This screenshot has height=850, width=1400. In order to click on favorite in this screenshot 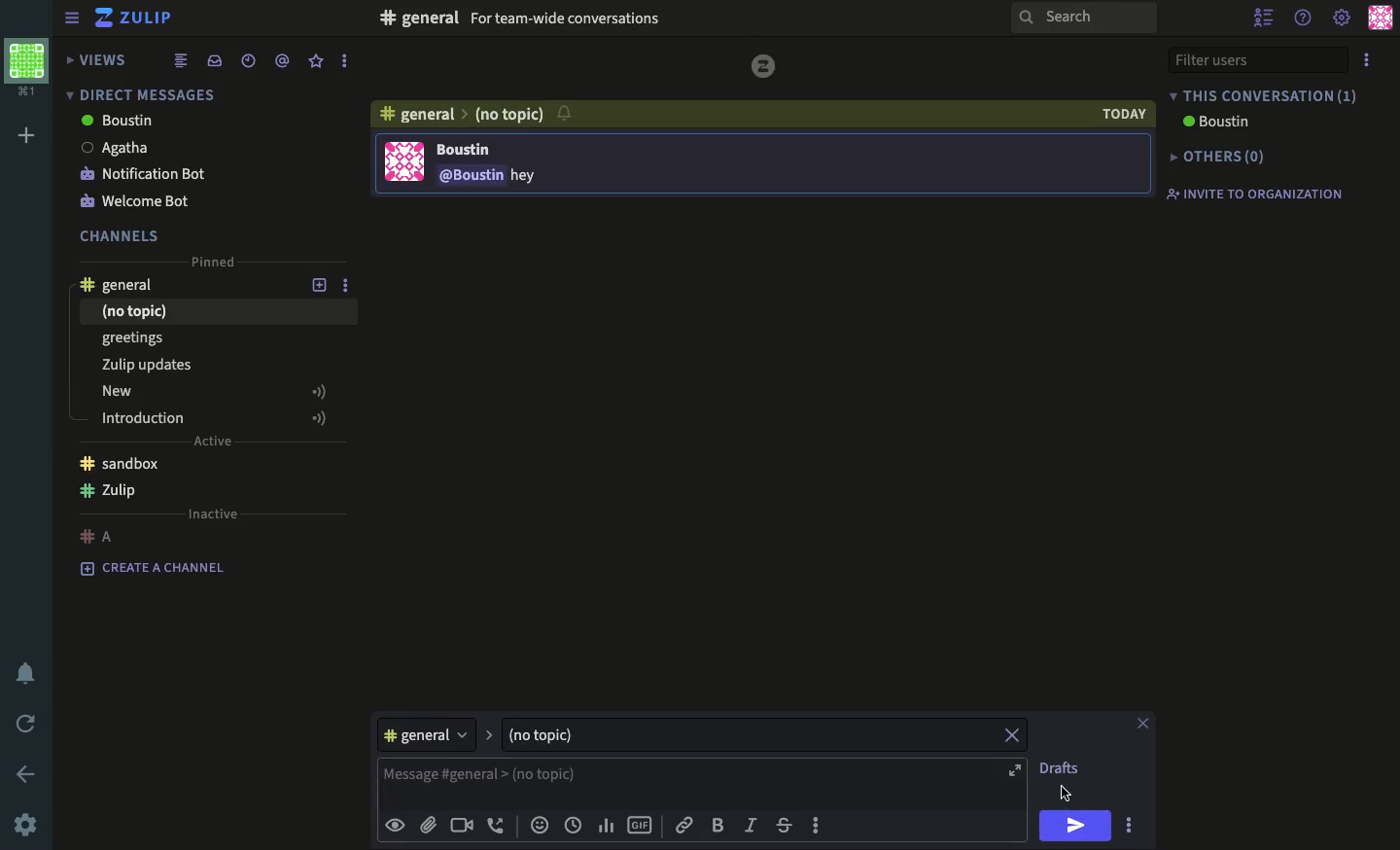, I will do `click(317, 61)`.